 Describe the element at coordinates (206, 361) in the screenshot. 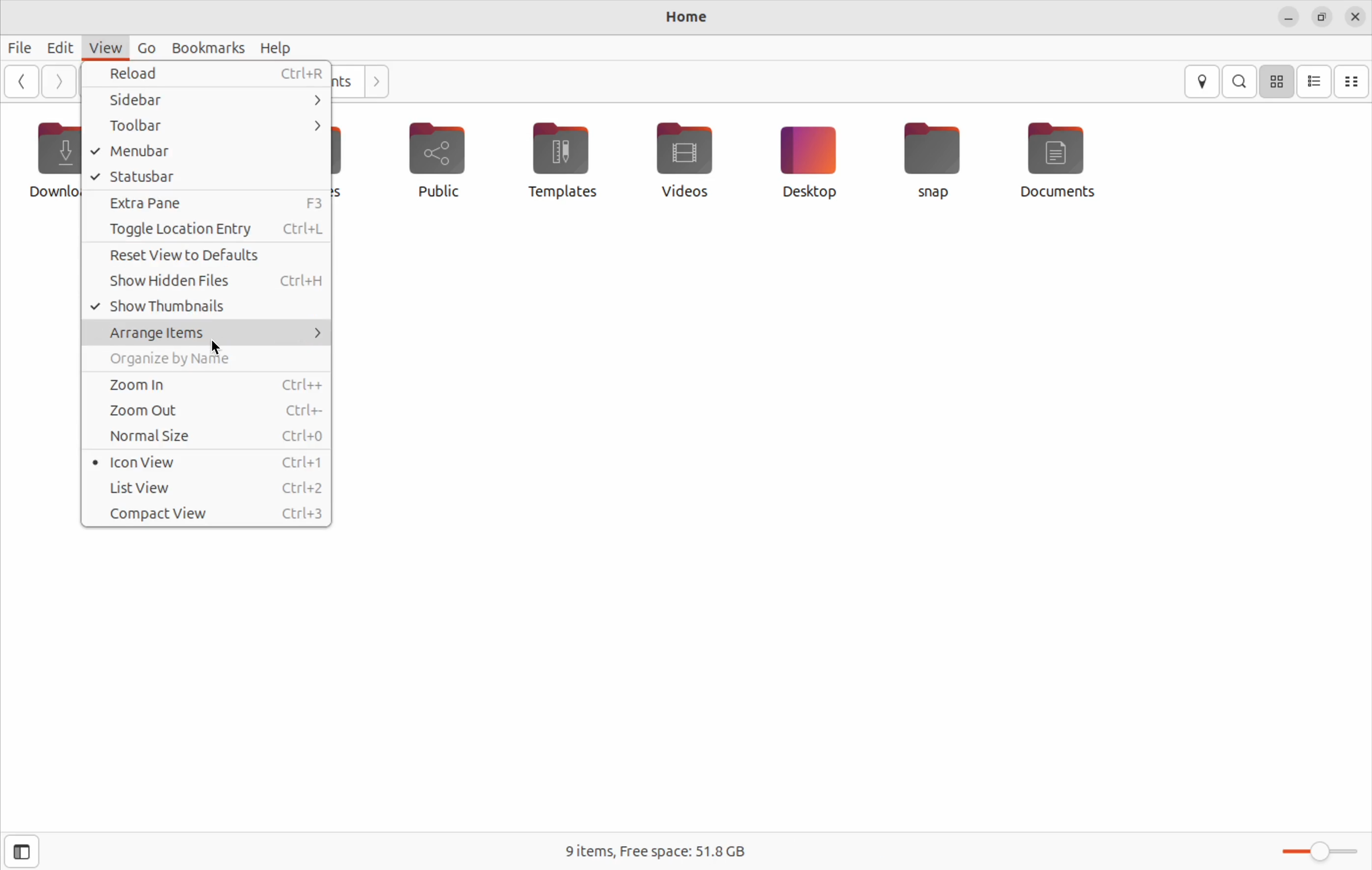

I see `organize names` at that location.